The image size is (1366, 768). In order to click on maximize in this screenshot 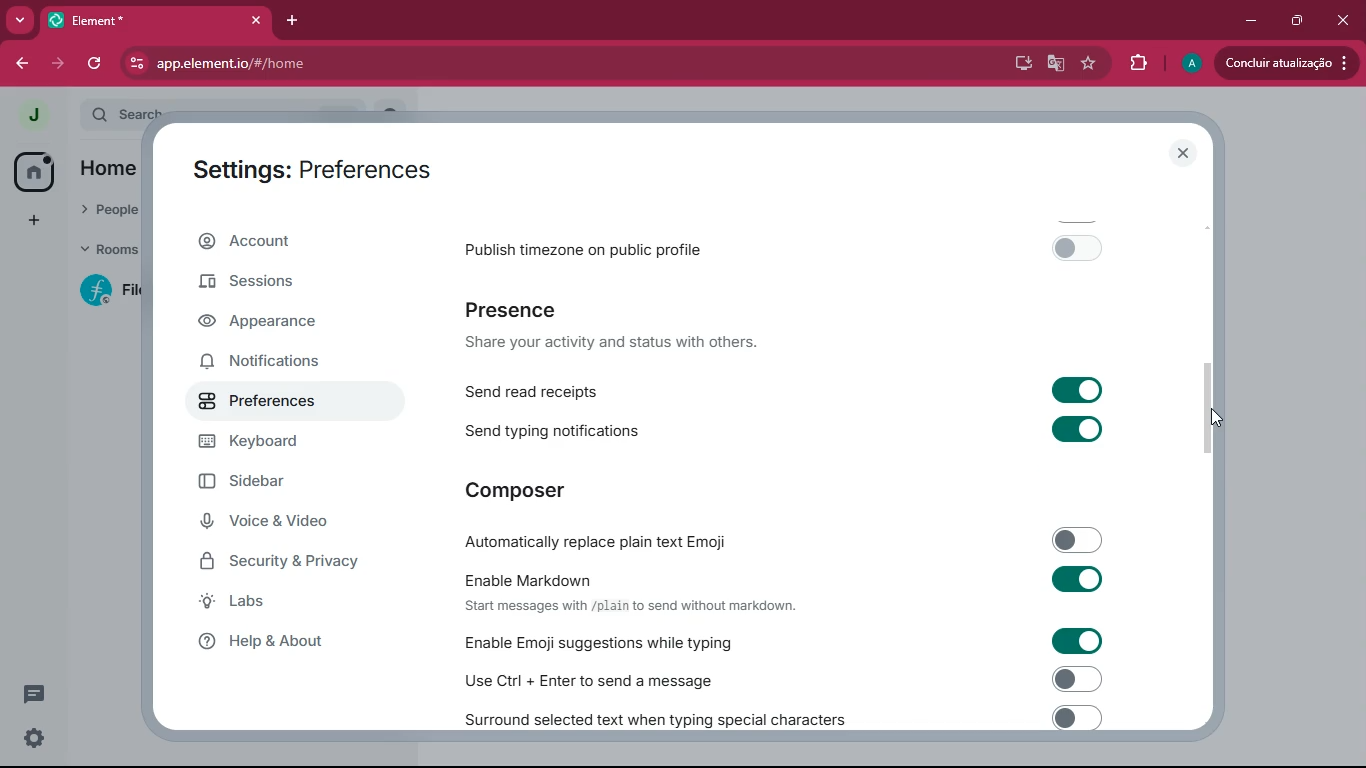, I will do `click(1293, 21)`.